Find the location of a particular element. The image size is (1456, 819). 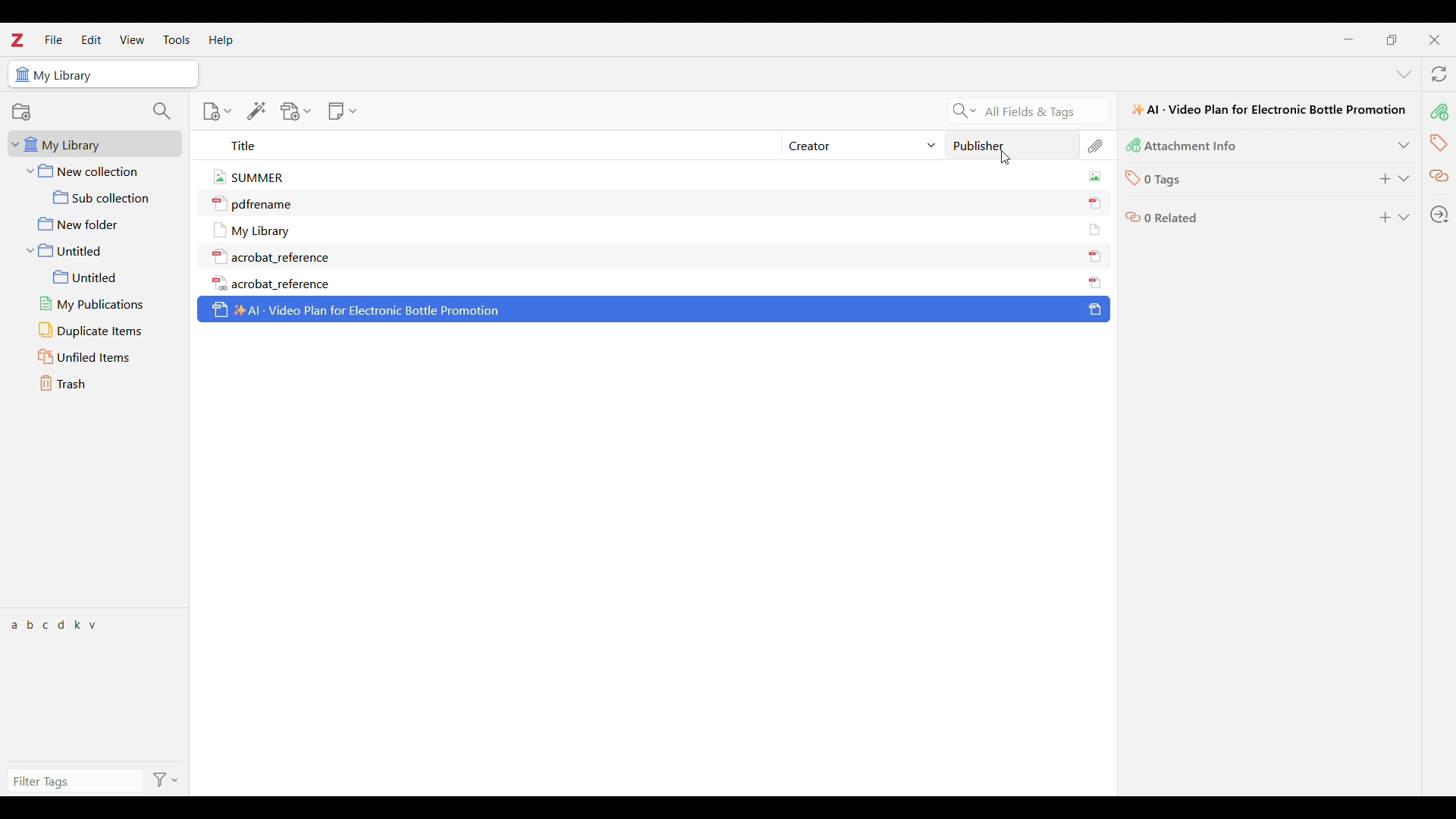

Edit menu is located at coordinates (92, 39).